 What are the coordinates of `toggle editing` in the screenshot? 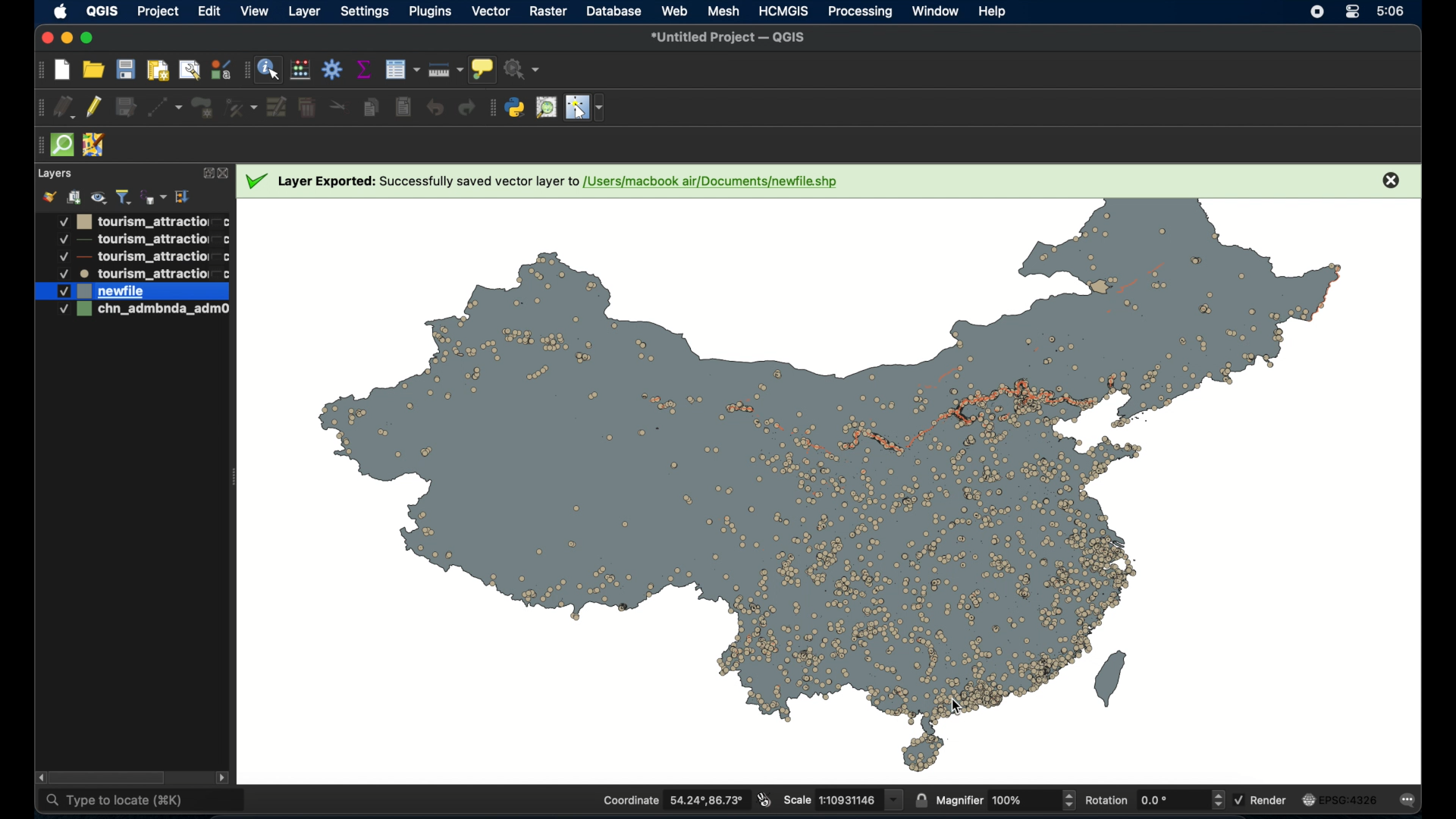 It's located at (96, 108).